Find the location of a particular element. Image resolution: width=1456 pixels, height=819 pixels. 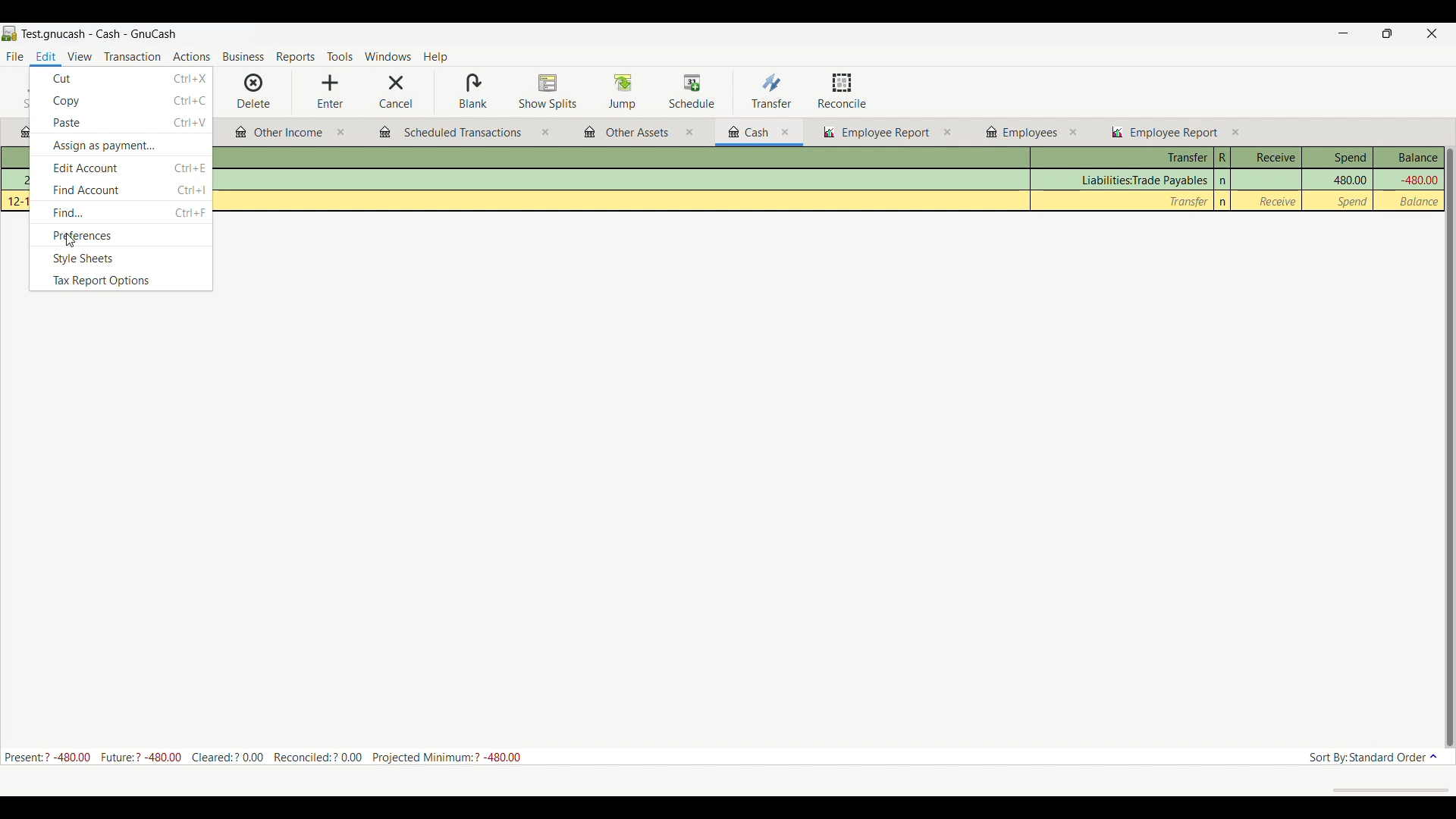

Tax report options is located at coordinates (121, 281).